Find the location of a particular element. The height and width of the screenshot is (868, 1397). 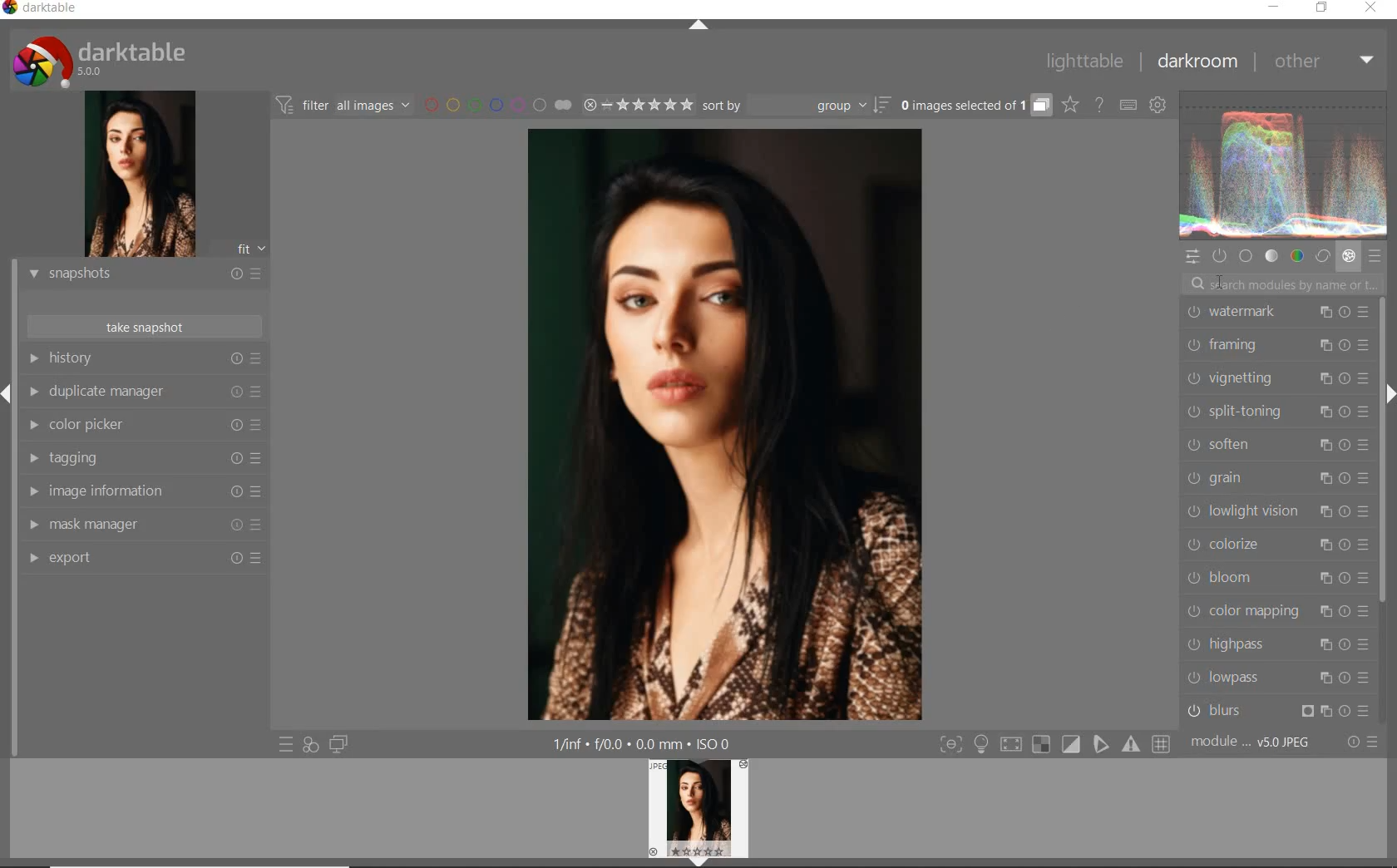

sort is located at coordinates (797, 105).